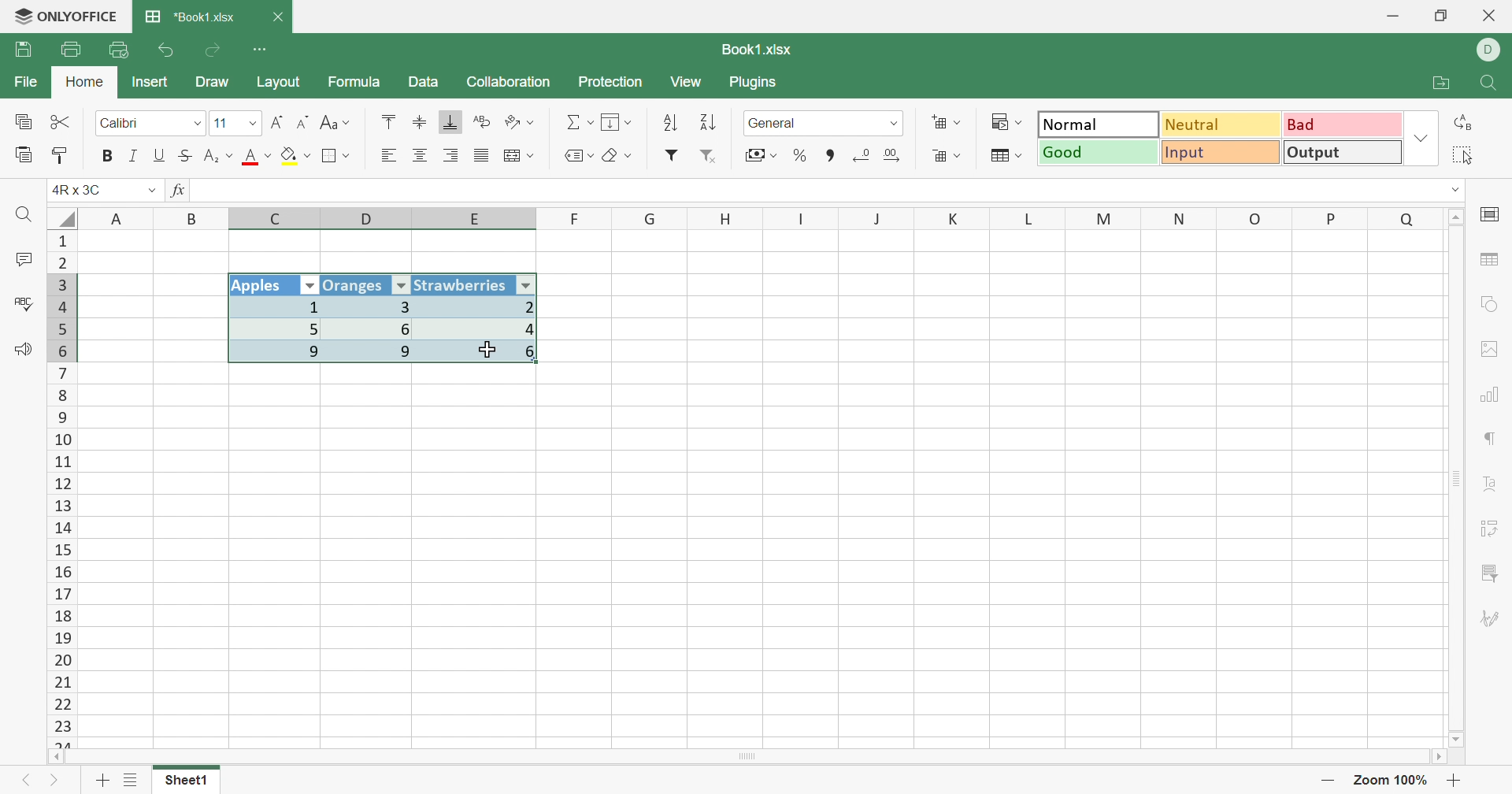 The height and width of the screenshot is (794, 1512). What do you see at coordinates (26, 50) in the screenshot?
I see `Save` at bounding box center [26, 50].